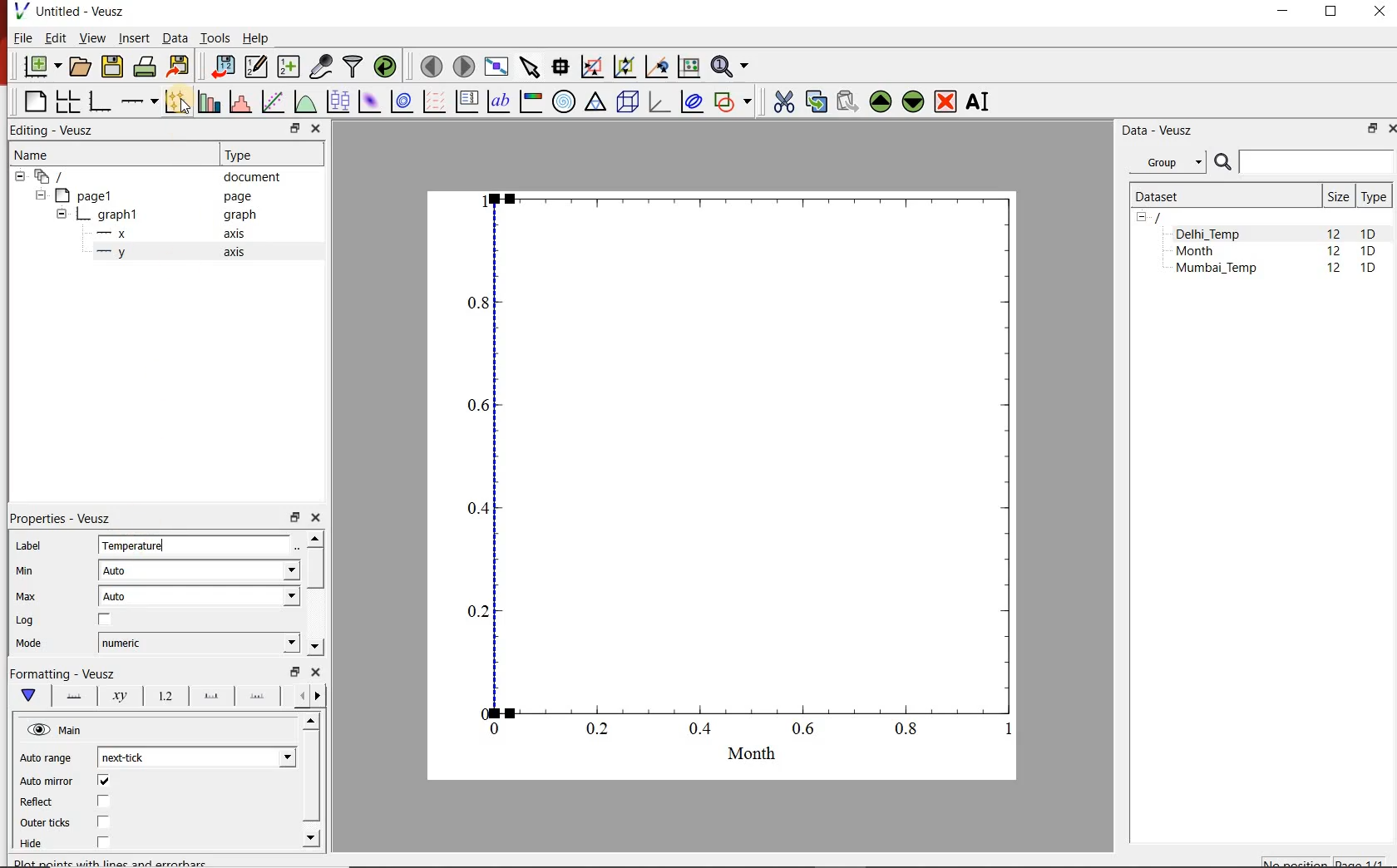  I want to click on reload linked datasets, so click(385, 65).